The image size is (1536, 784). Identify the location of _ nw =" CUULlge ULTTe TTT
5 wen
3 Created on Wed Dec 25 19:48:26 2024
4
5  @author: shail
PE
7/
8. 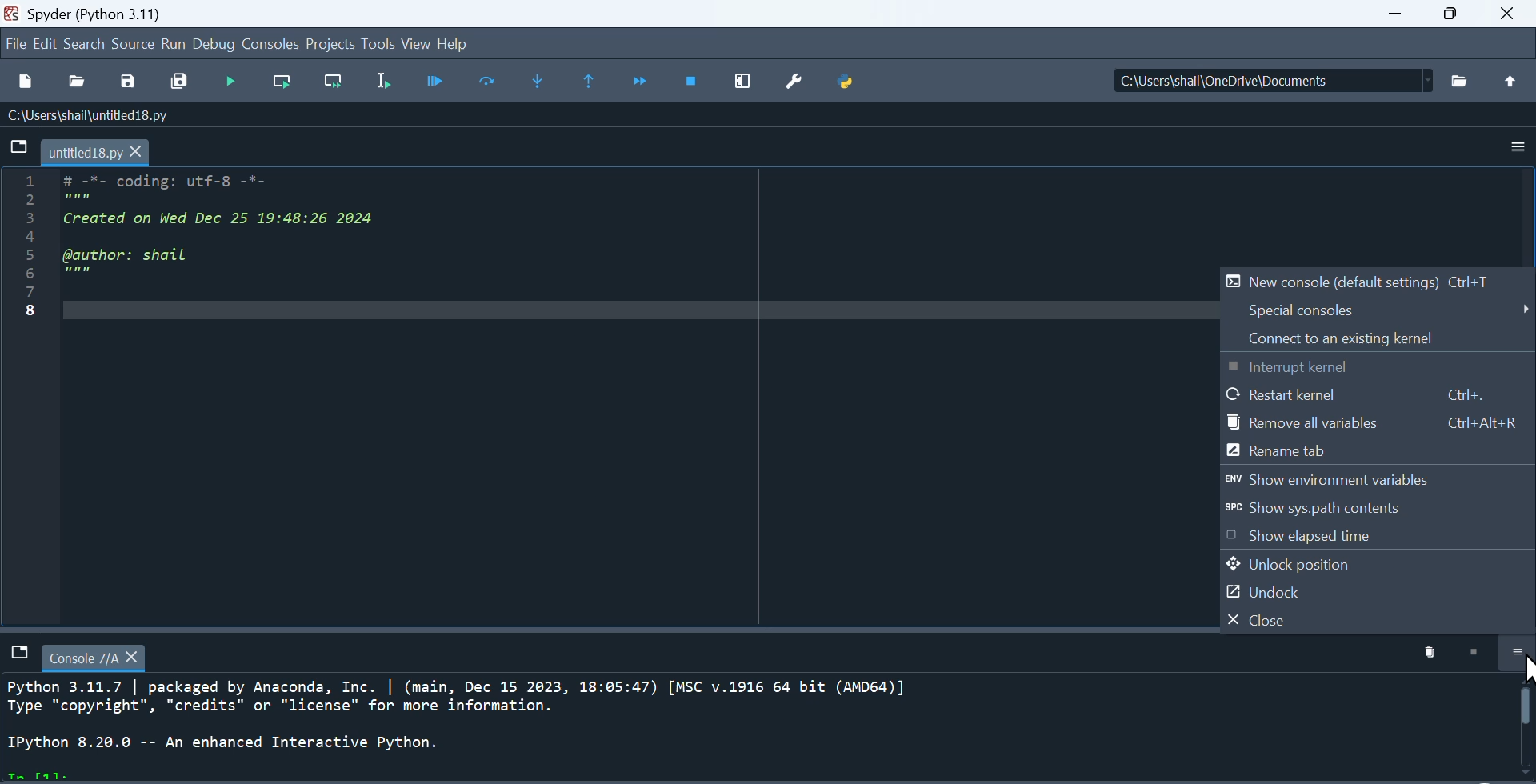
(234, 248).